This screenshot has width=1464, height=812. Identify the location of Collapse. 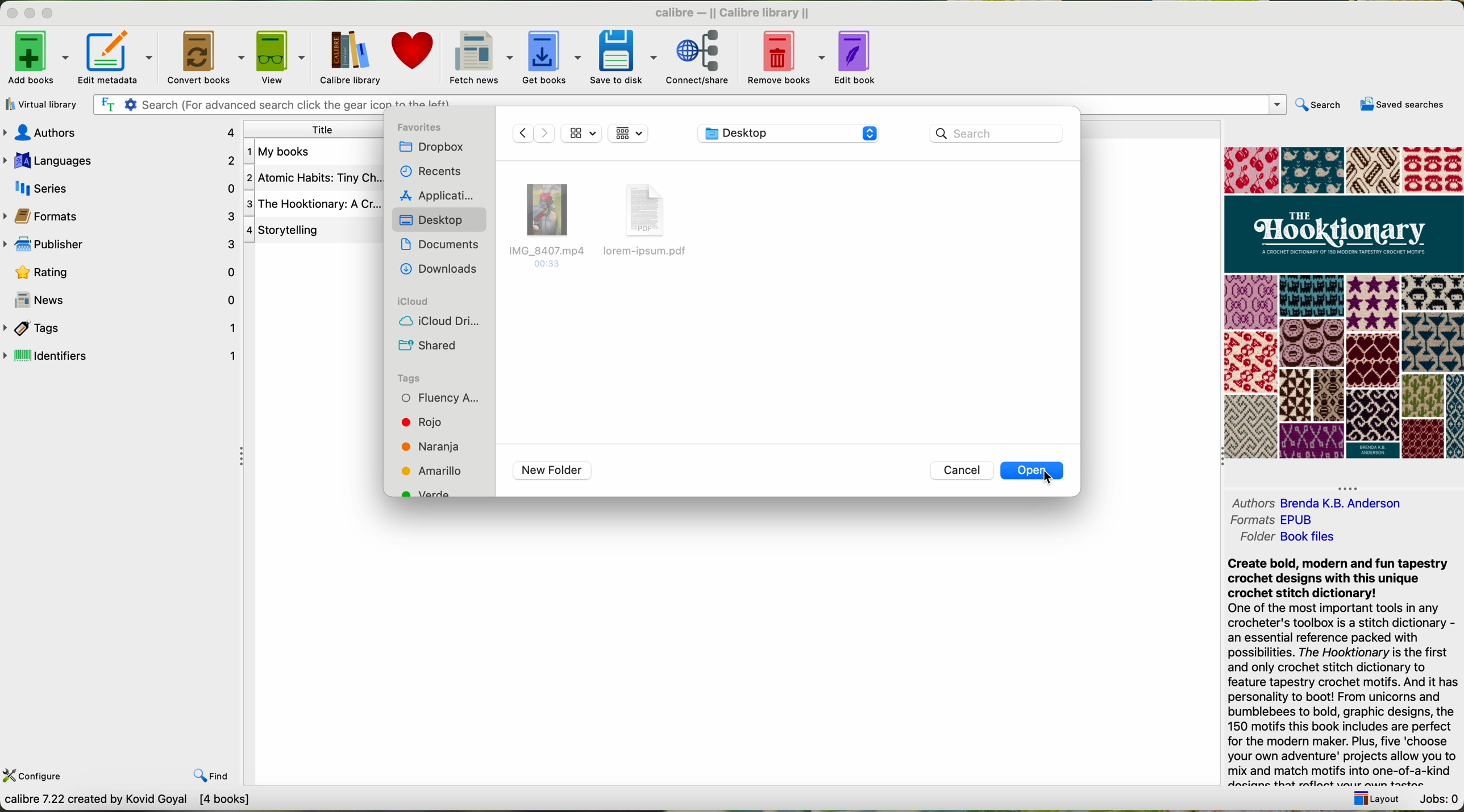
(1216, 460).